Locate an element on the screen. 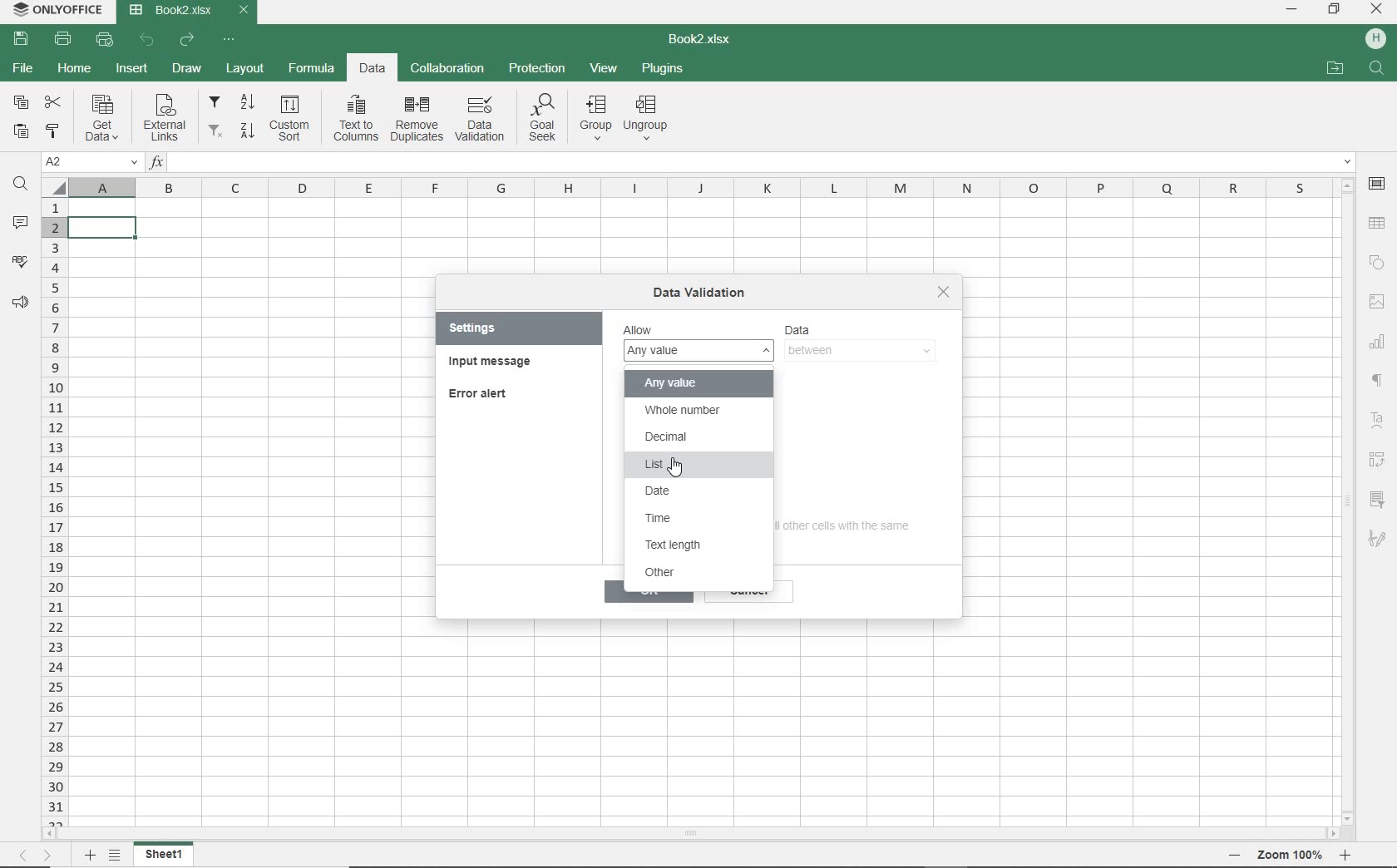 The height and width of the screenshot is (868, 1397). custom sort is located at coordinates (292, 118).